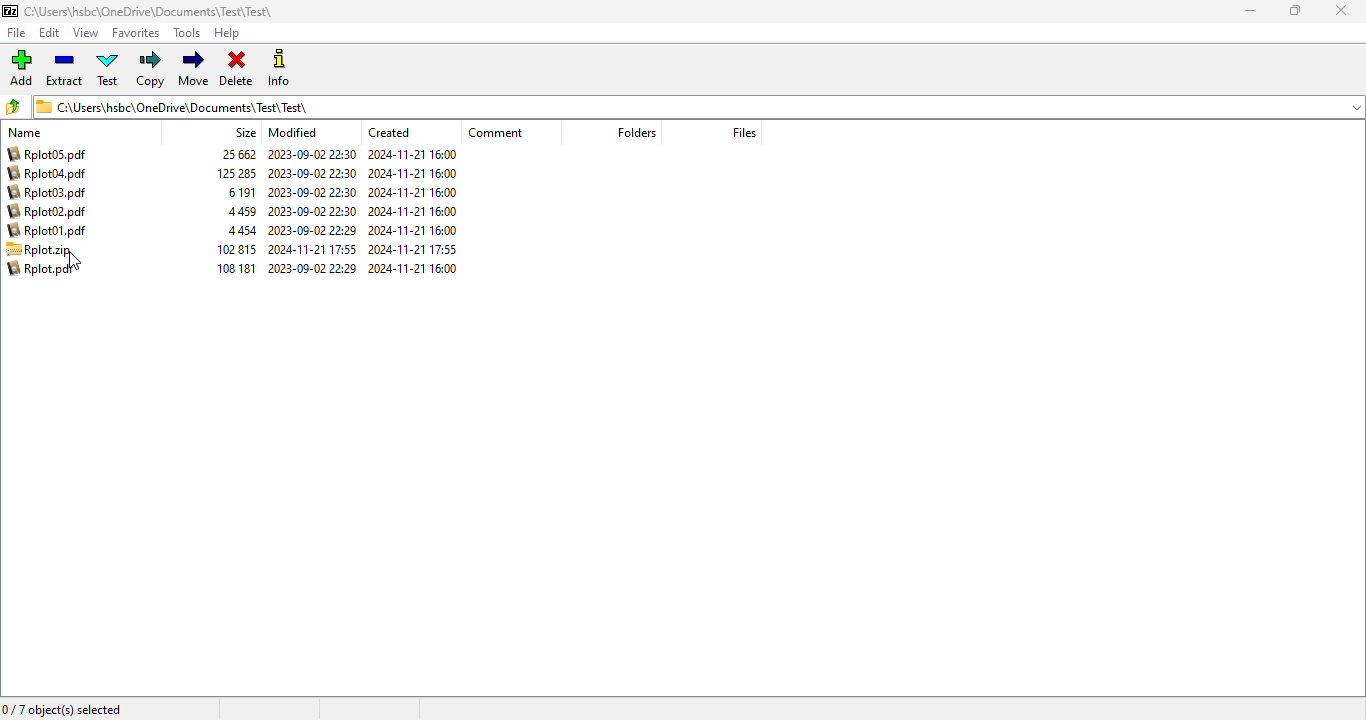  What do you see at coordinates (74, 260) in the screenshot?
I see `cursor` at bounding box center [74, 260].